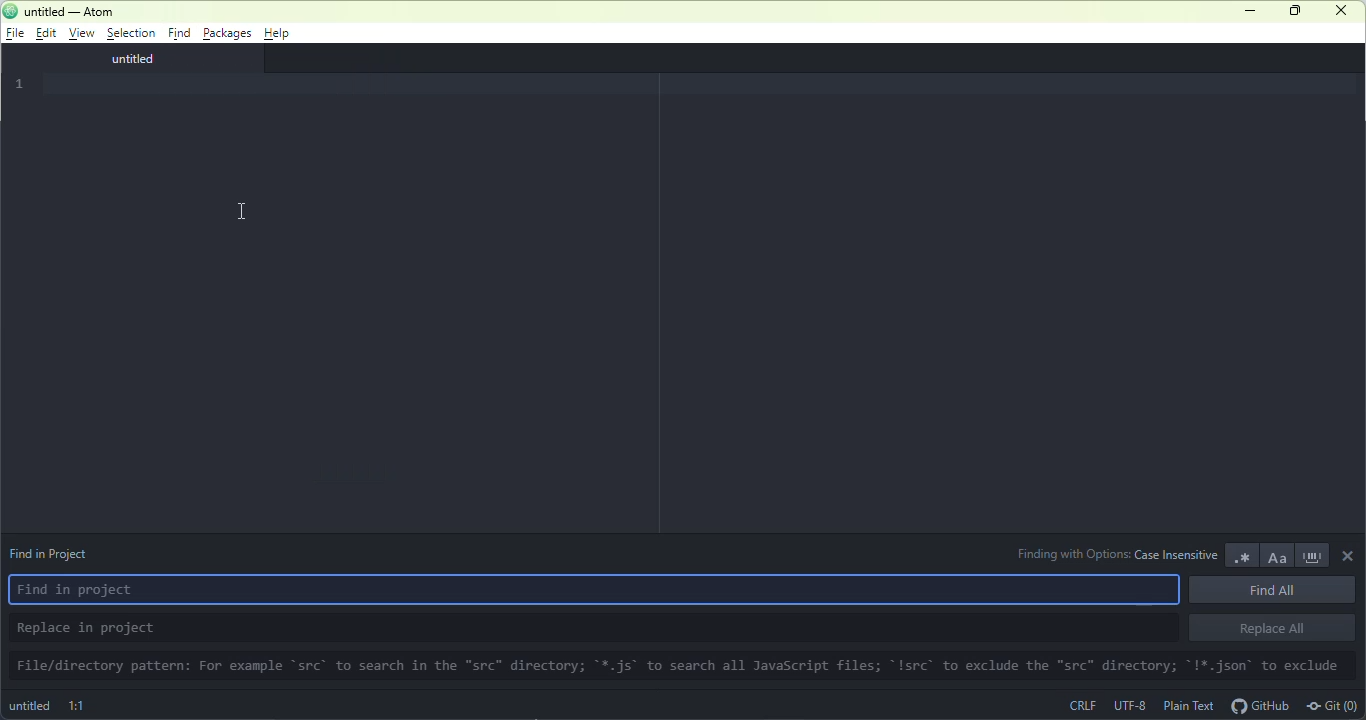  Describe the element at coordinates (13, 11) in the screenshot. I see `atom logo` at that location.